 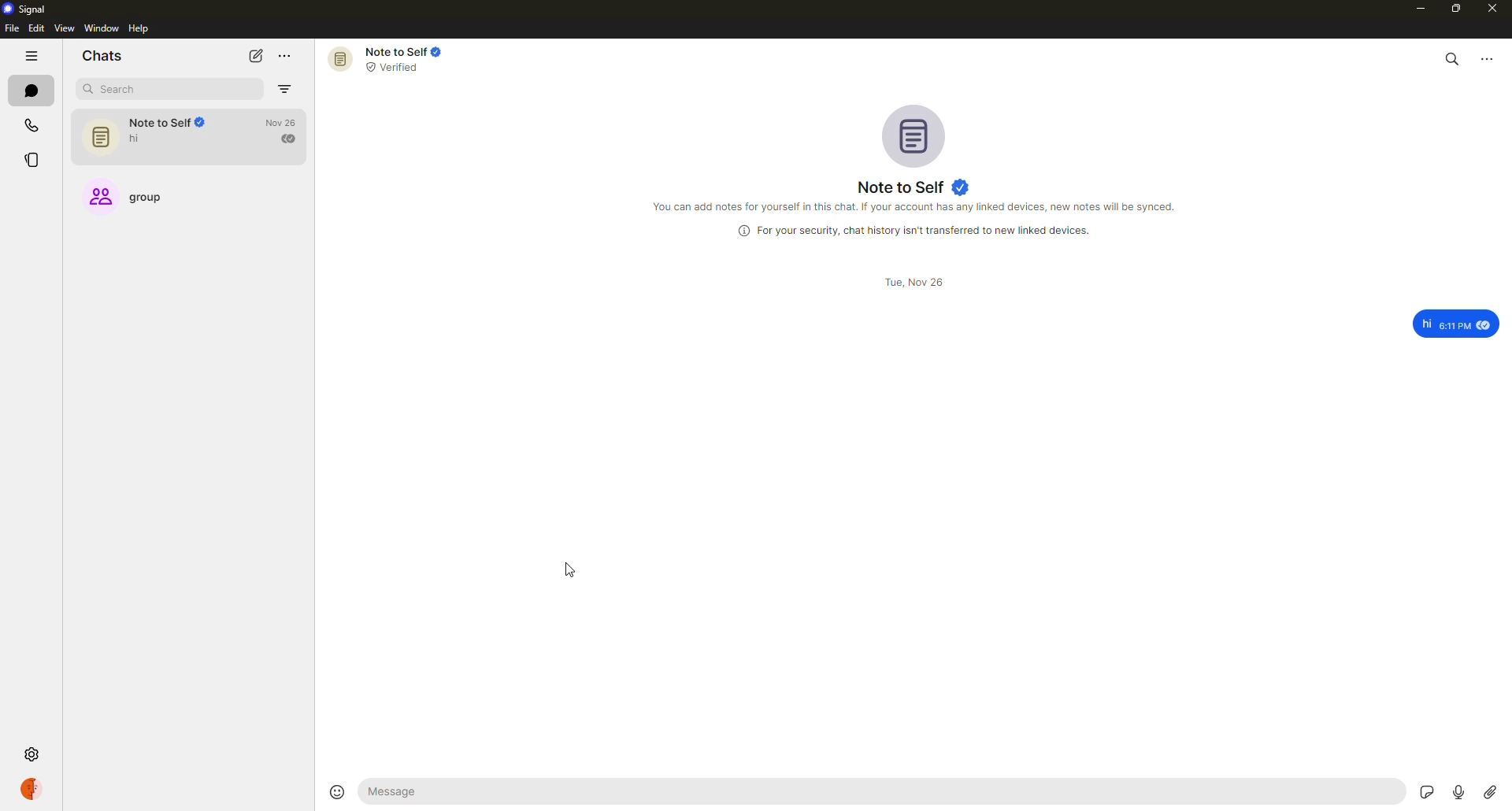 I want to click on profile pic, so click(x=910, y=135).